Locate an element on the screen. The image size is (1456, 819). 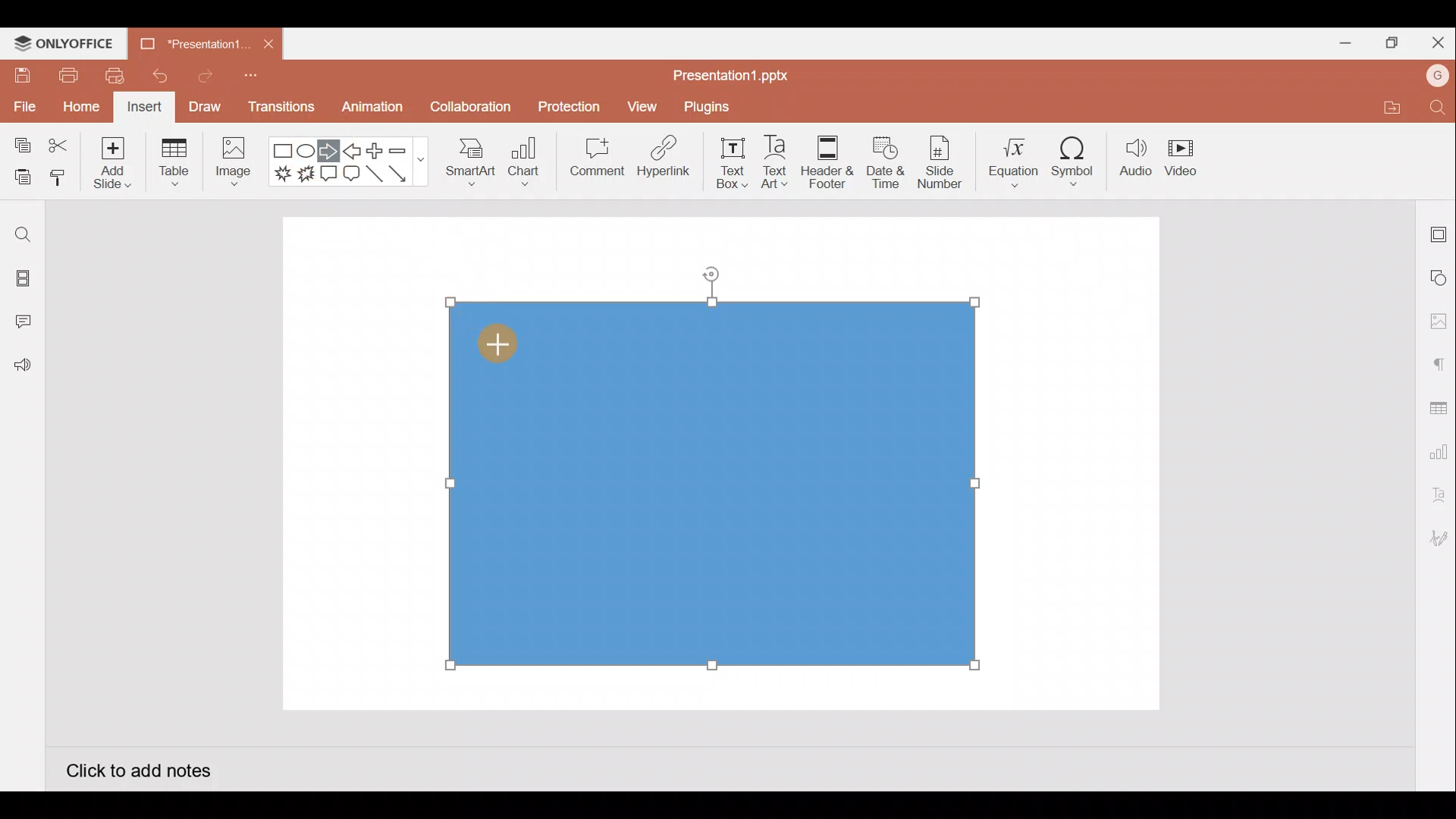
Comments is located at coordinates (27, 323).